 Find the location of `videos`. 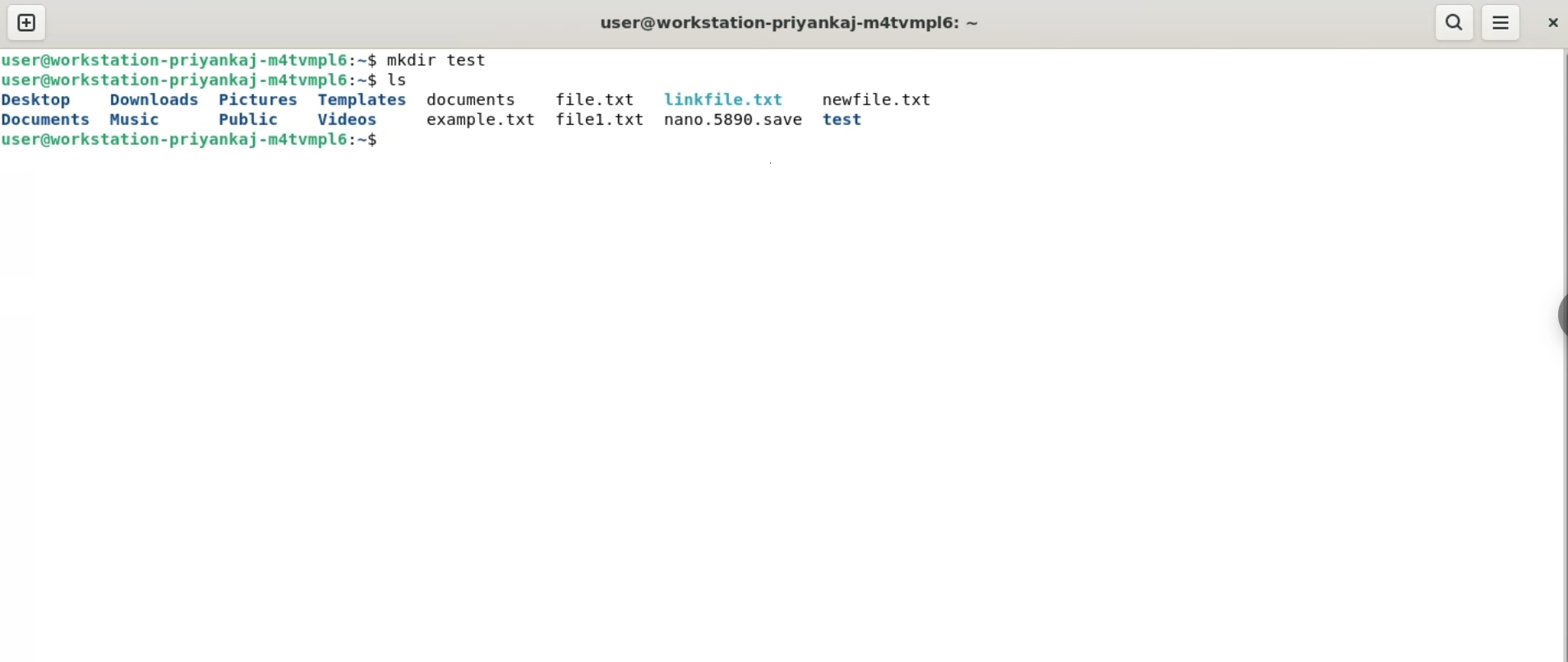

videos is located at coordinates (347, 118).